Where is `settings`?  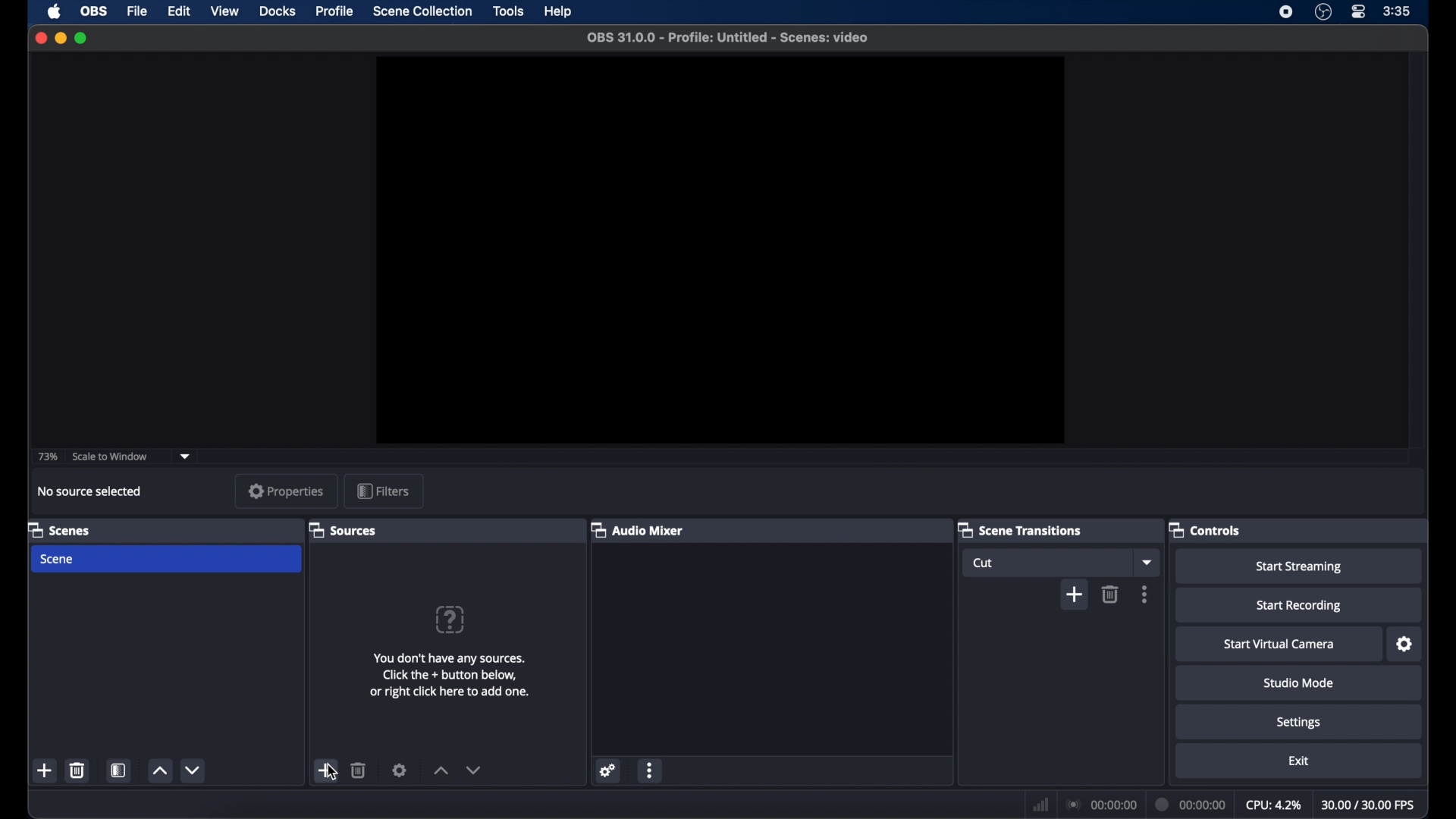
settings is located at coordinates (608, 770).